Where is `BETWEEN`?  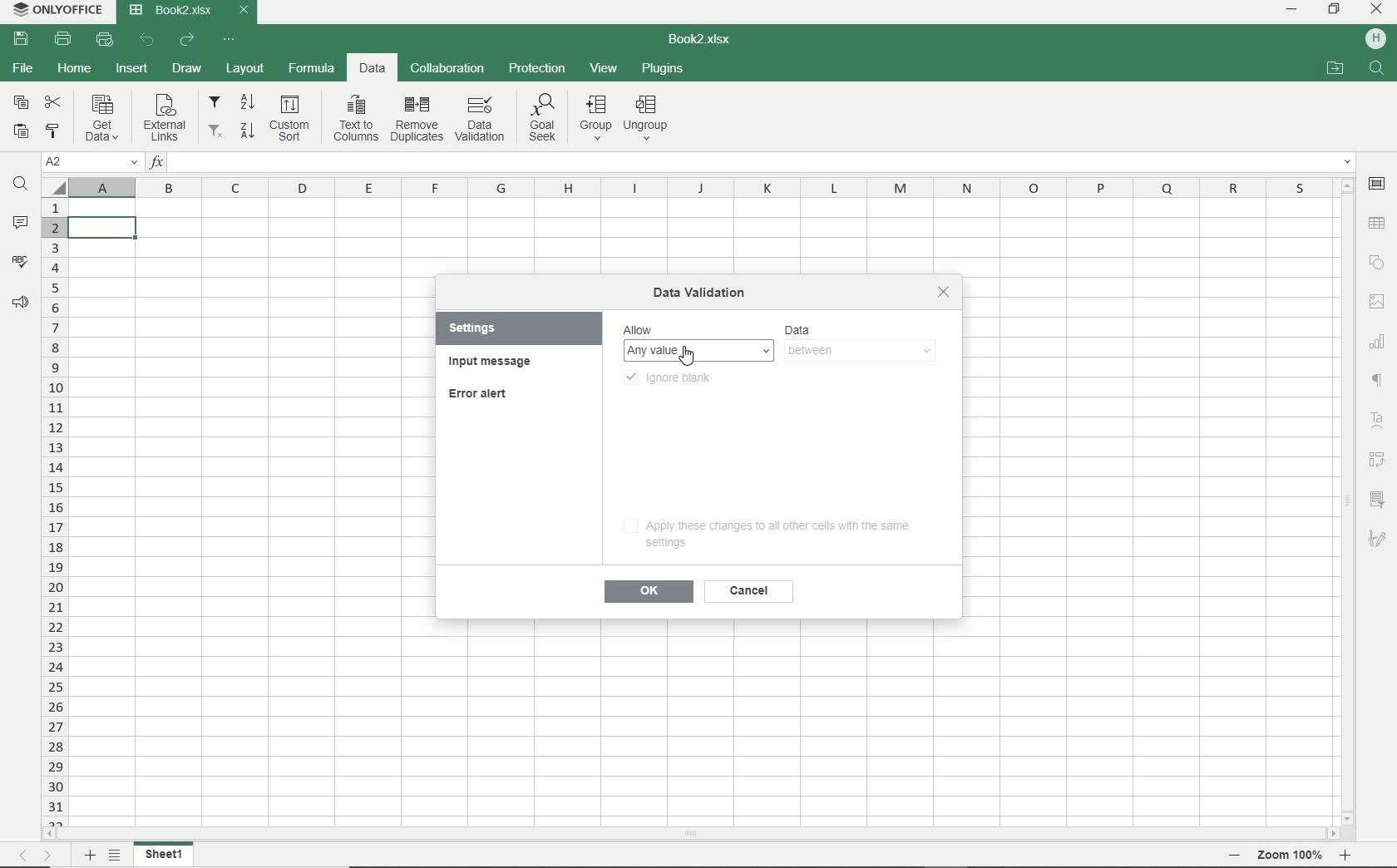 BETWEEN is located at coordinates (861, 352).